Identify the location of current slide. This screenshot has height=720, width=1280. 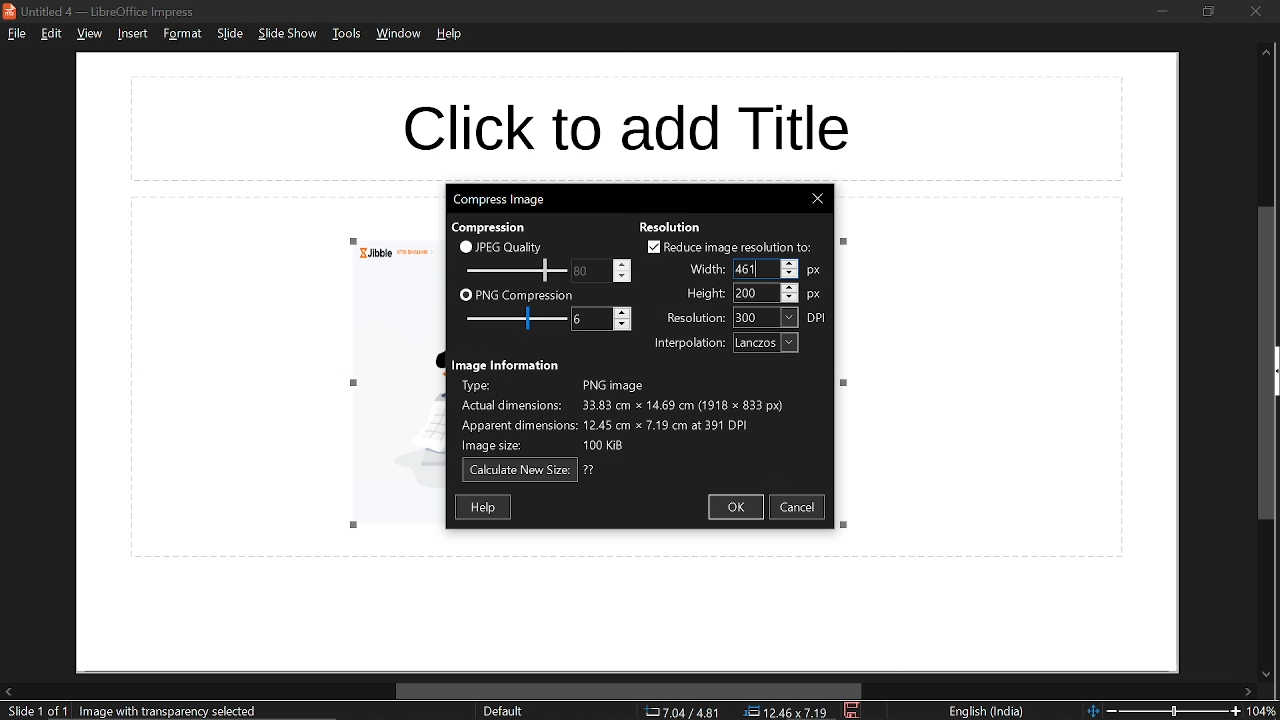
(33, 712).